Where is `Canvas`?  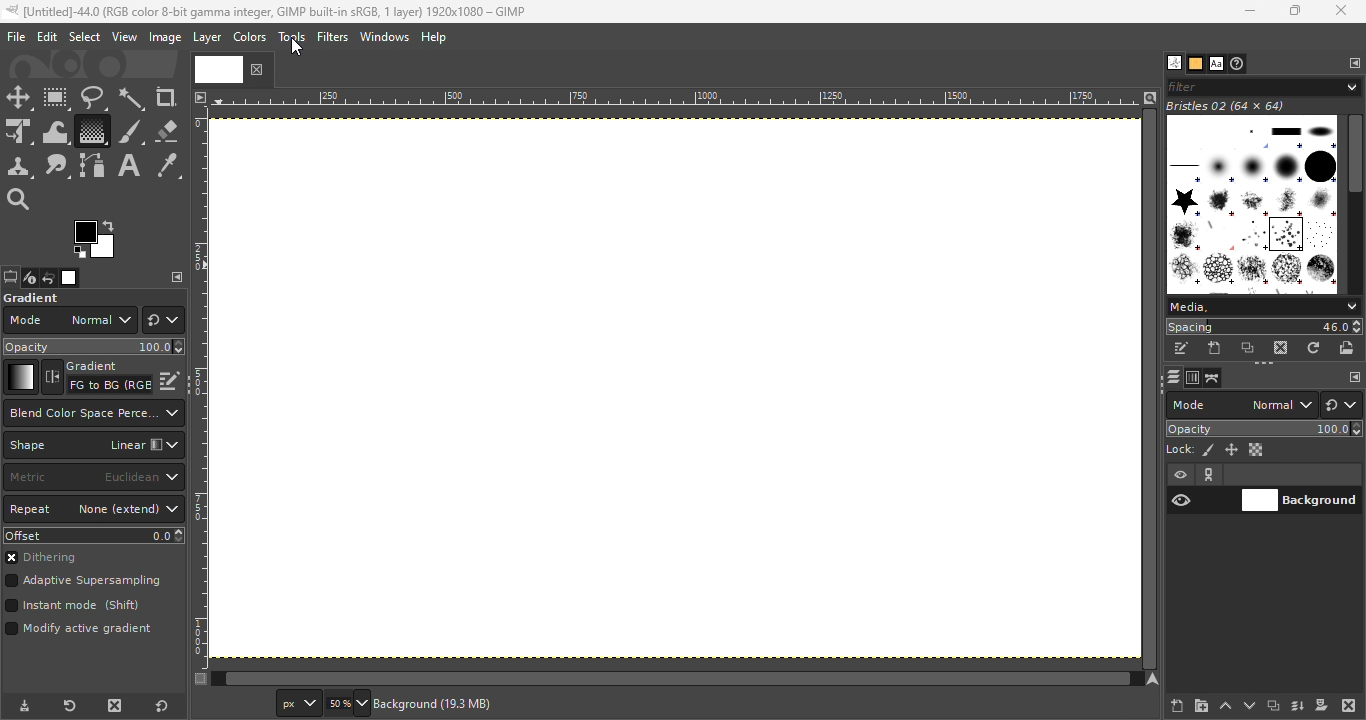 Canvas is located at coordinates (677, 392).